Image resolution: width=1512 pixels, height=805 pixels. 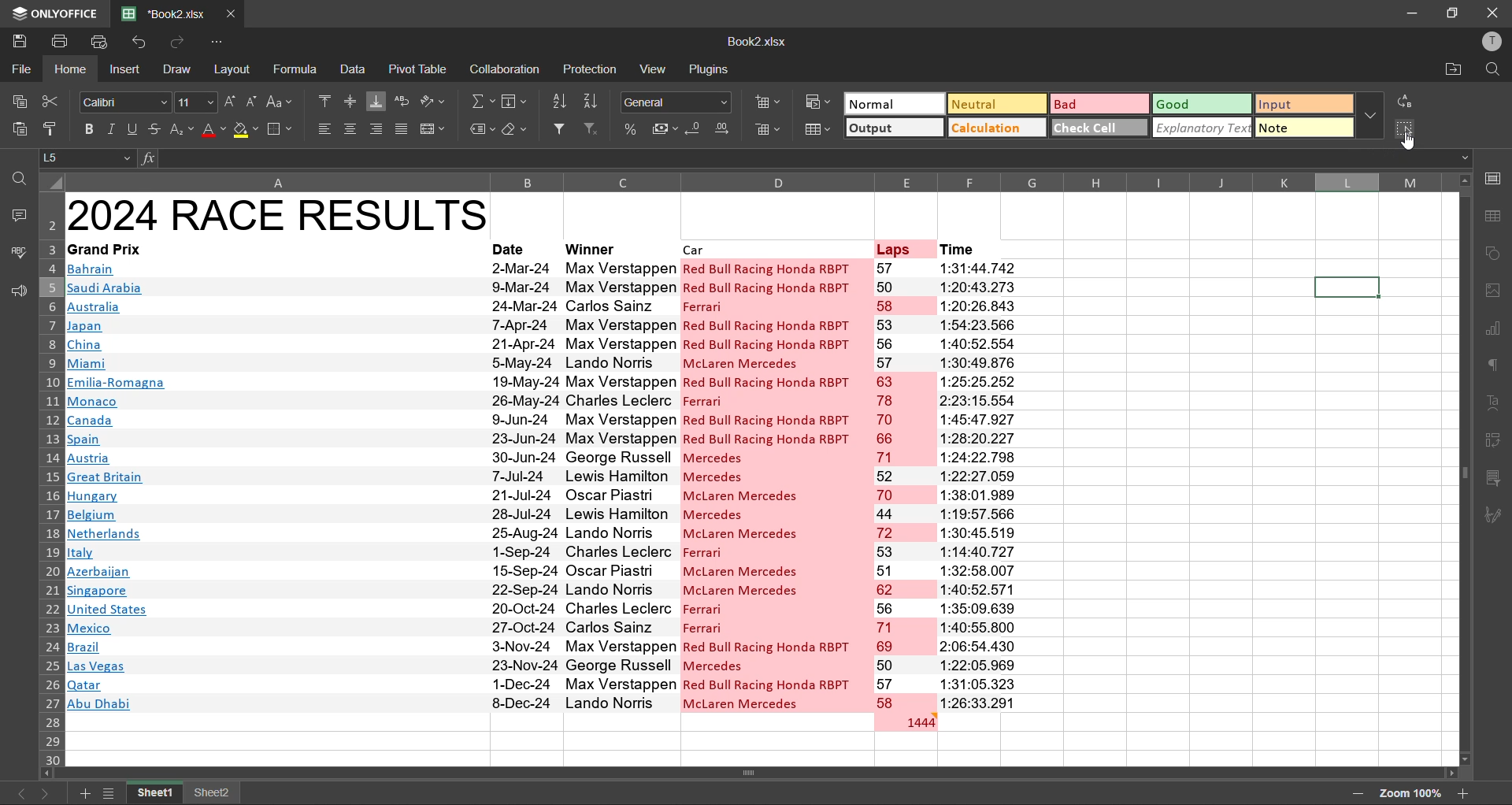 I want to click on , so click(x=515, y=102).